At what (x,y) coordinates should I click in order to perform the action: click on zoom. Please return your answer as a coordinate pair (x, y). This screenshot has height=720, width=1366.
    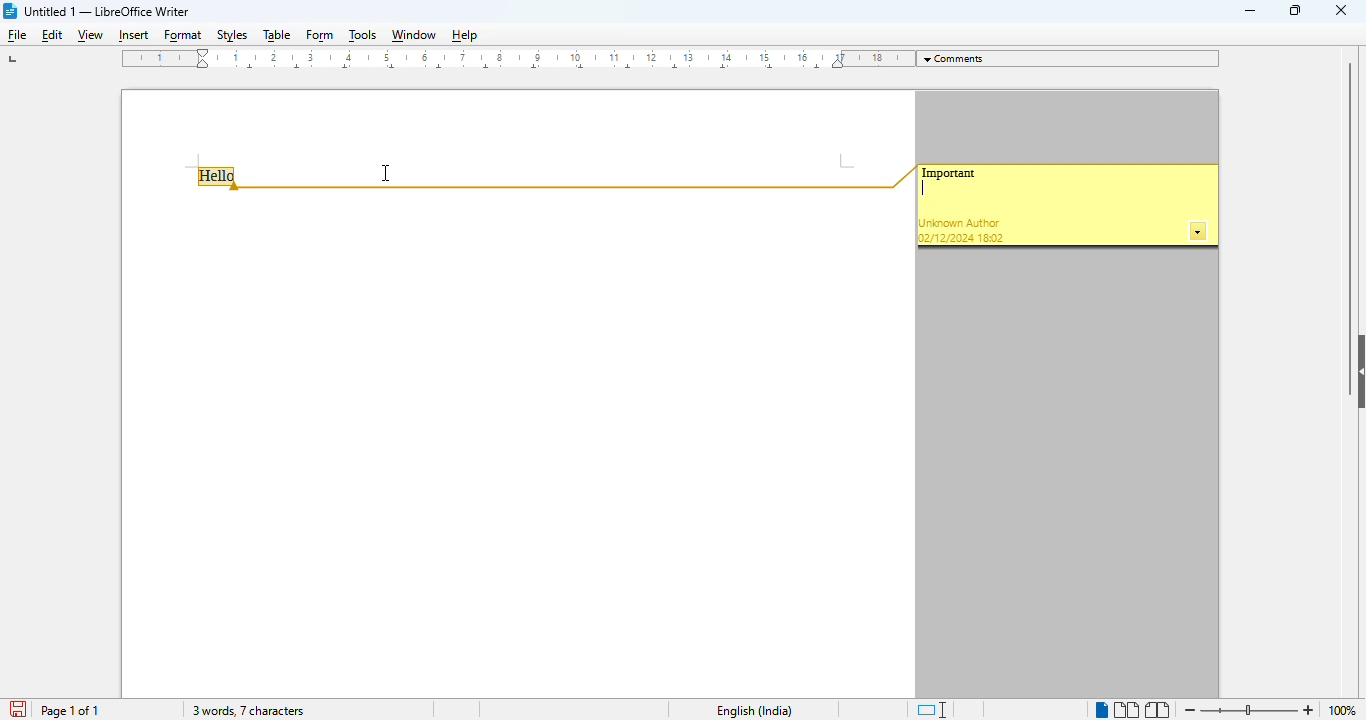
    Looking at the image, I should click on (1249, 709).